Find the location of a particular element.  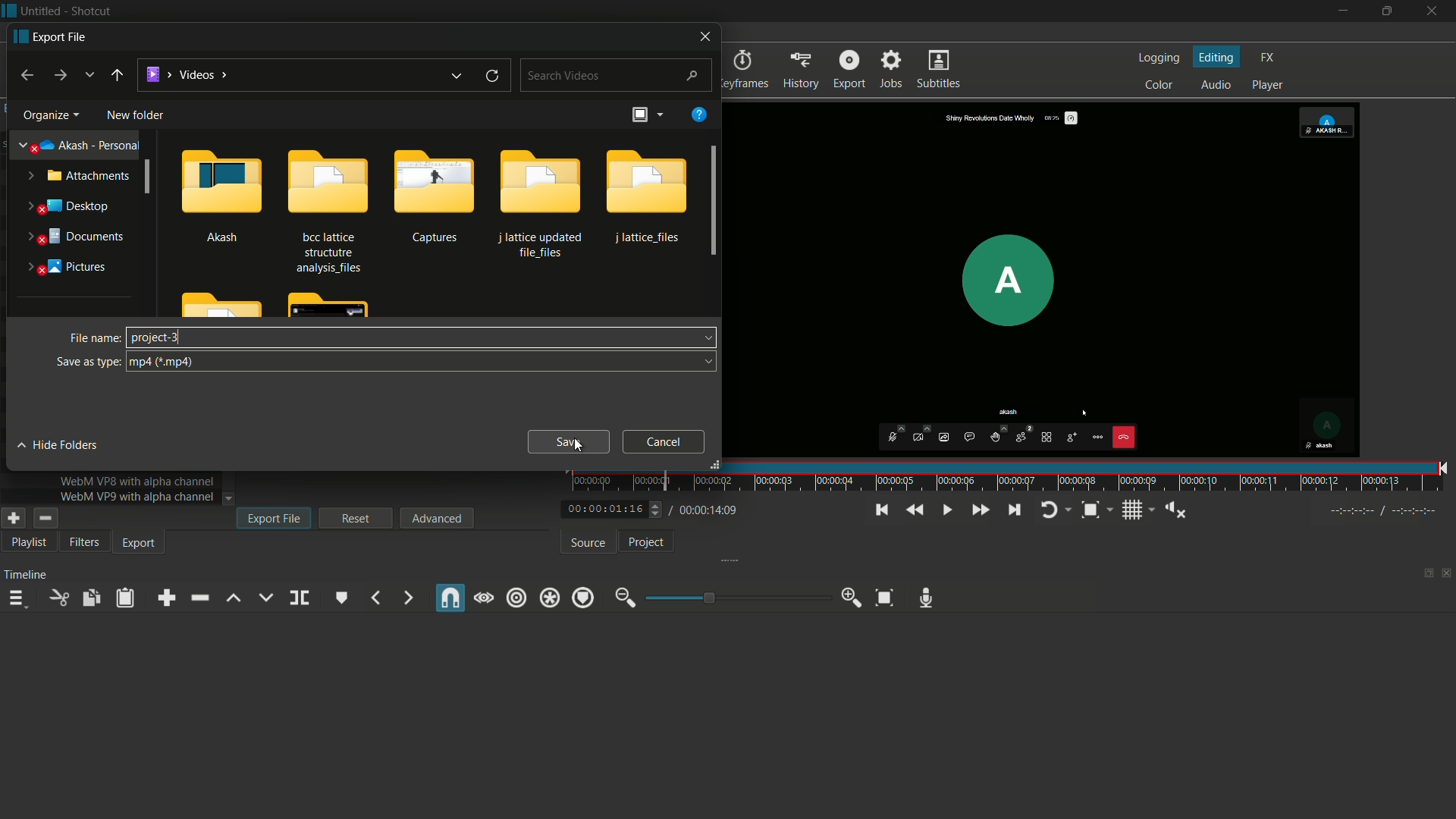

ripple delete is located at coordinates (198, 598).